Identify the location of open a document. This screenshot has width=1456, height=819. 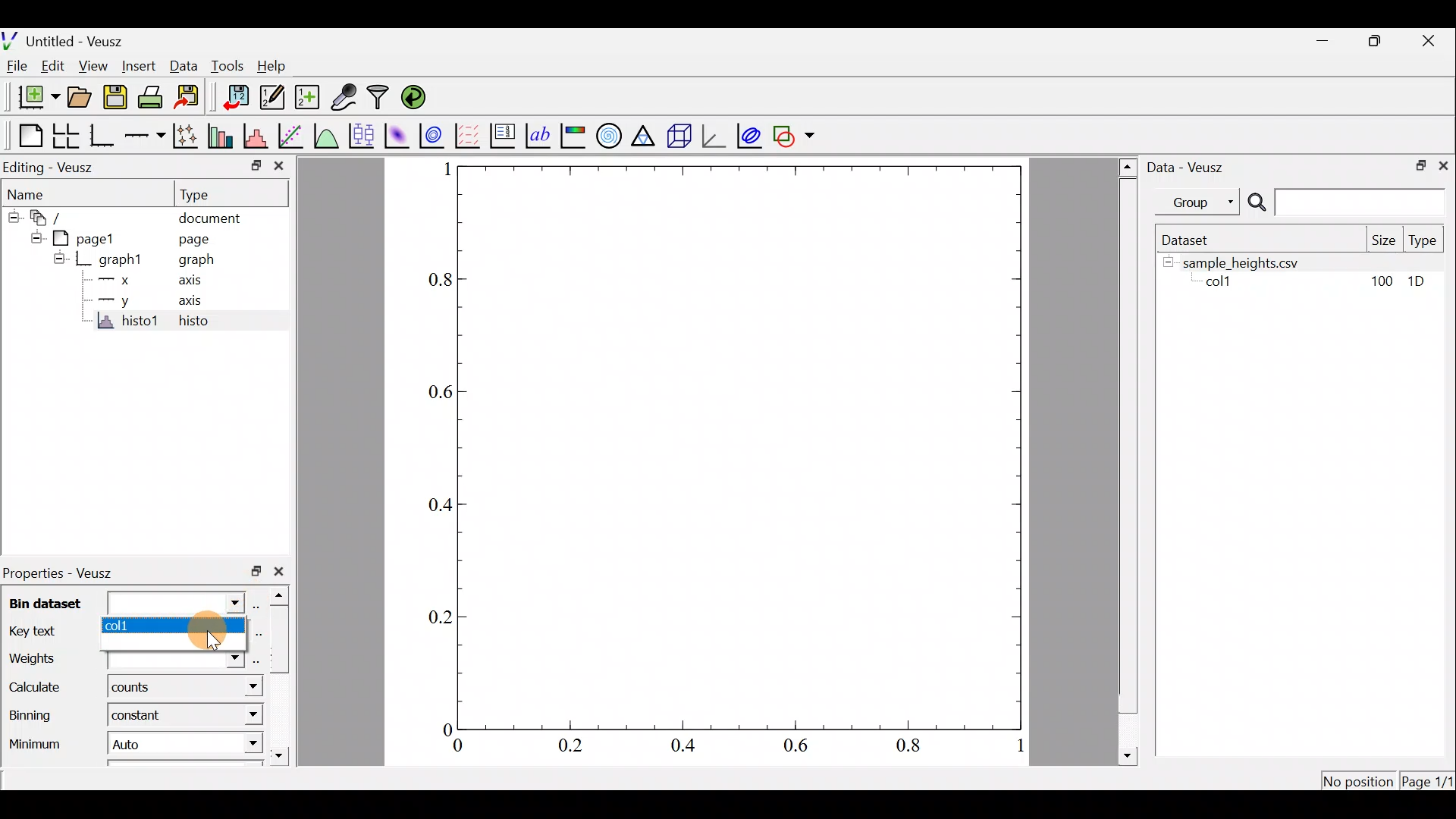
(78, 99).